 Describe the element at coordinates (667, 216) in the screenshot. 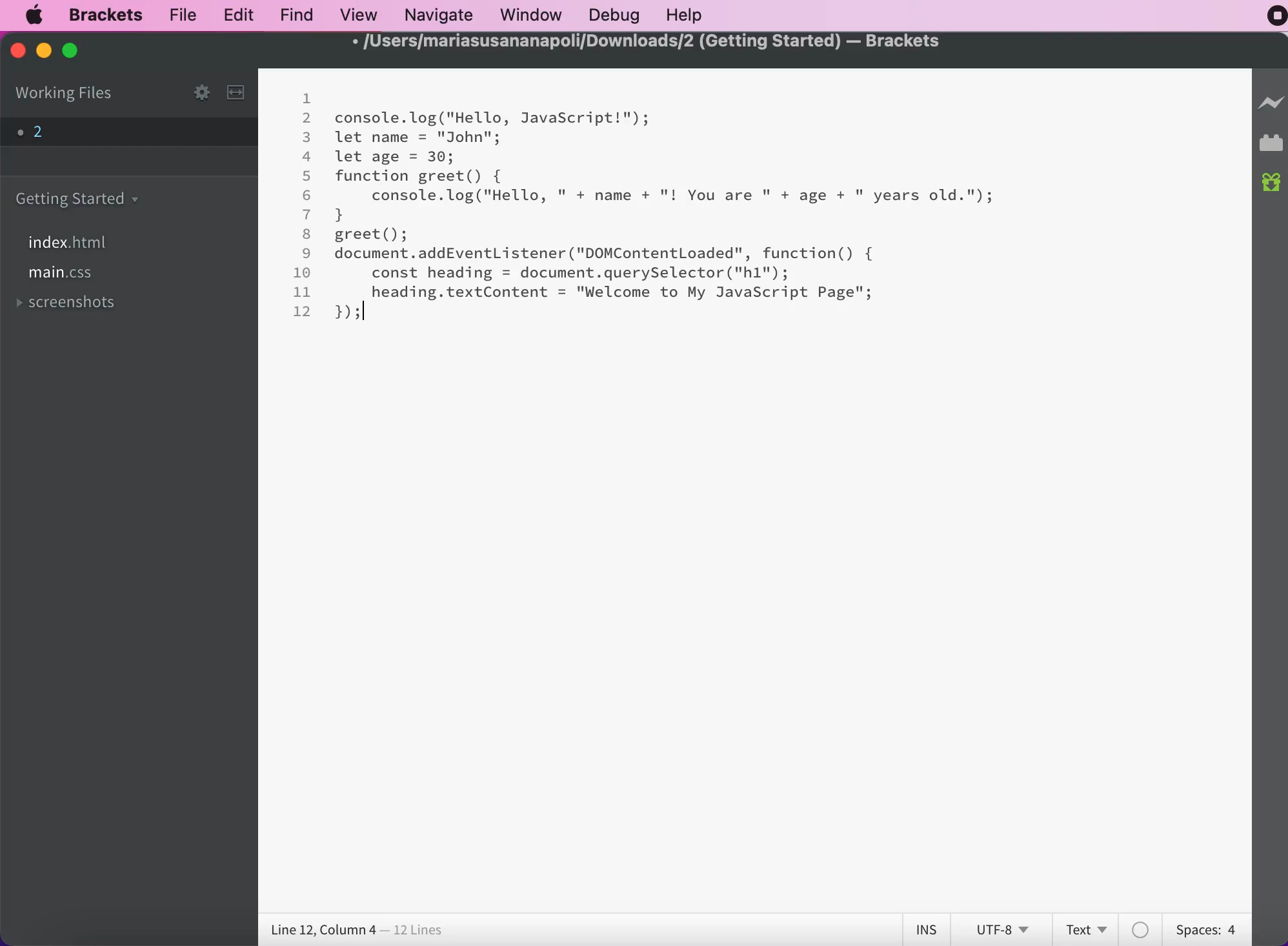

I see `console. log("Hello, JavaScript!");let name = "John";let age = 30;function greet() {console.log("Hello, " + name + "! You are " + age + " years old.");}greet();document.addEventListener ("DOMContentLoaded", function() {const heading = document.querySelector("h1");heading.textContent = "Welcome to My JavaScript Page"; });` at that location.